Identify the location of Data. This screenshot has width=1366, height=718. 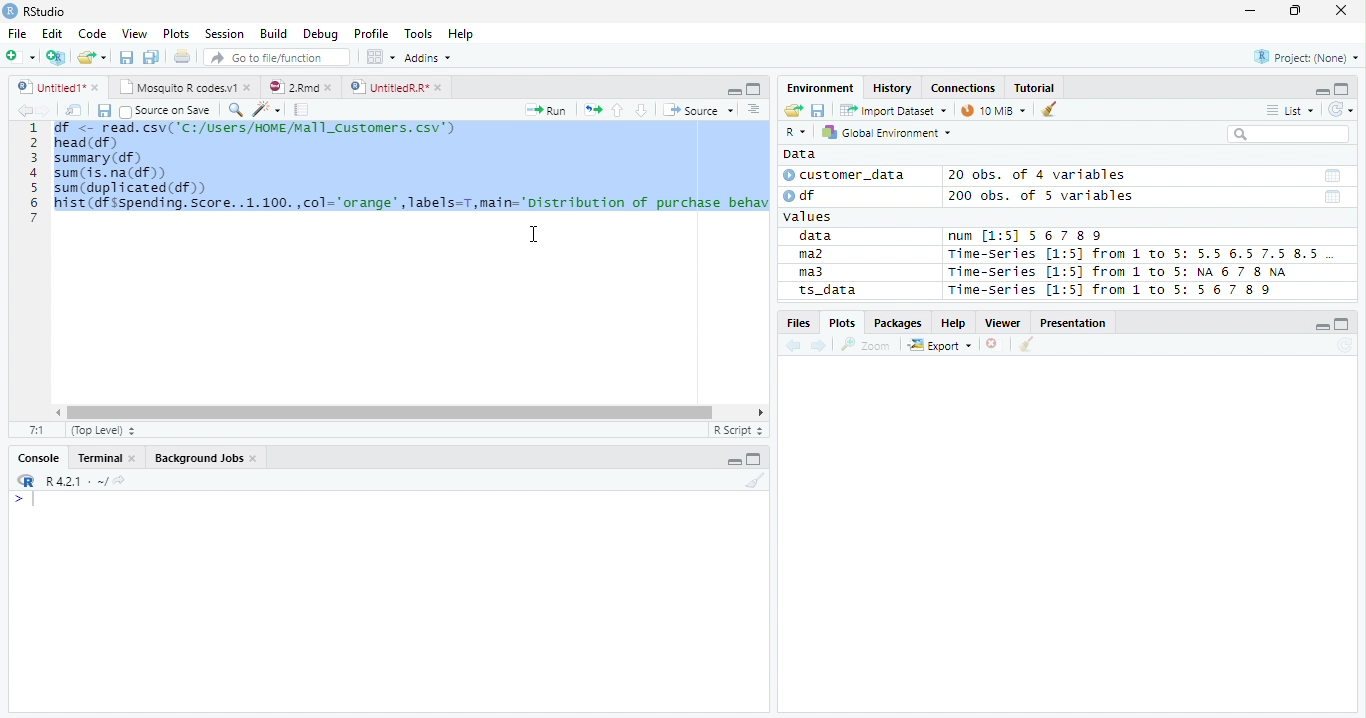
(799, 154).